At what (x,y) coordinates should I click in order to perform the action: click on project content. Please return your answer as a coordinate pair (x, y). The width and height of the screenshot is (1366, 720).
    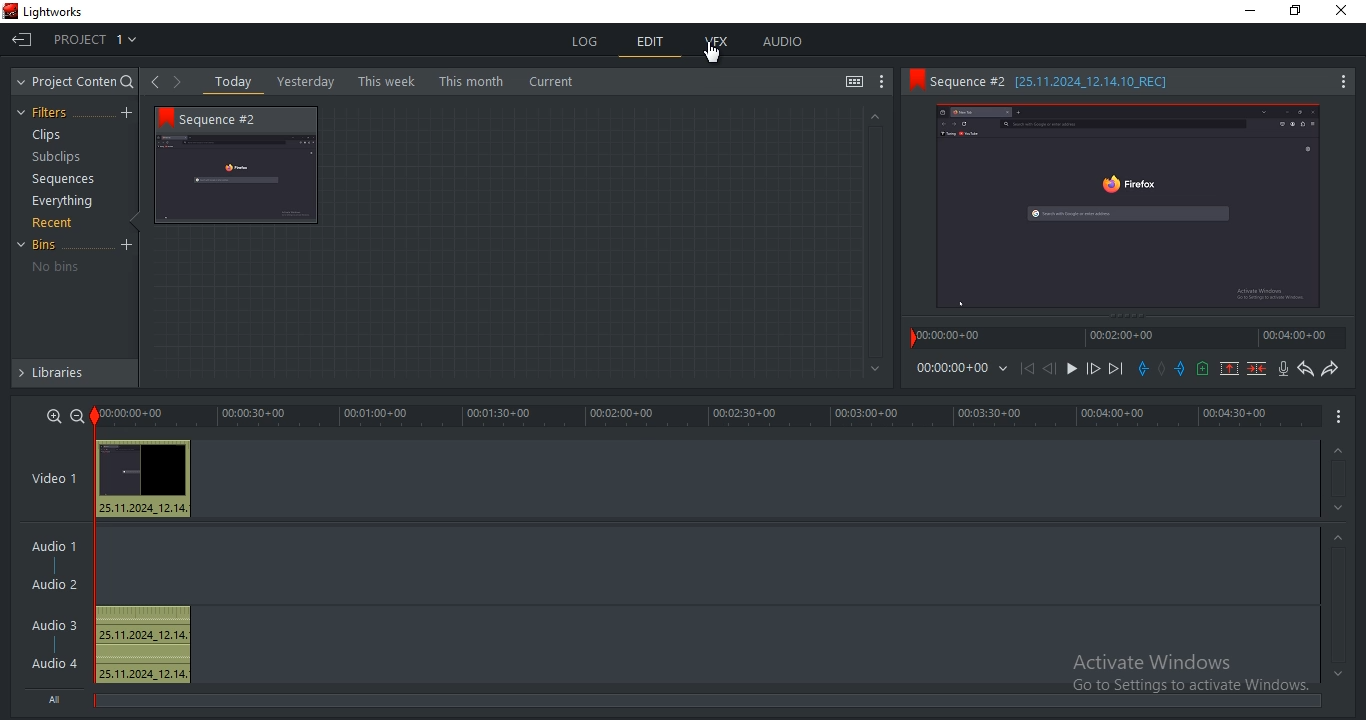
    Looking at the image, I should click on (75, 83).